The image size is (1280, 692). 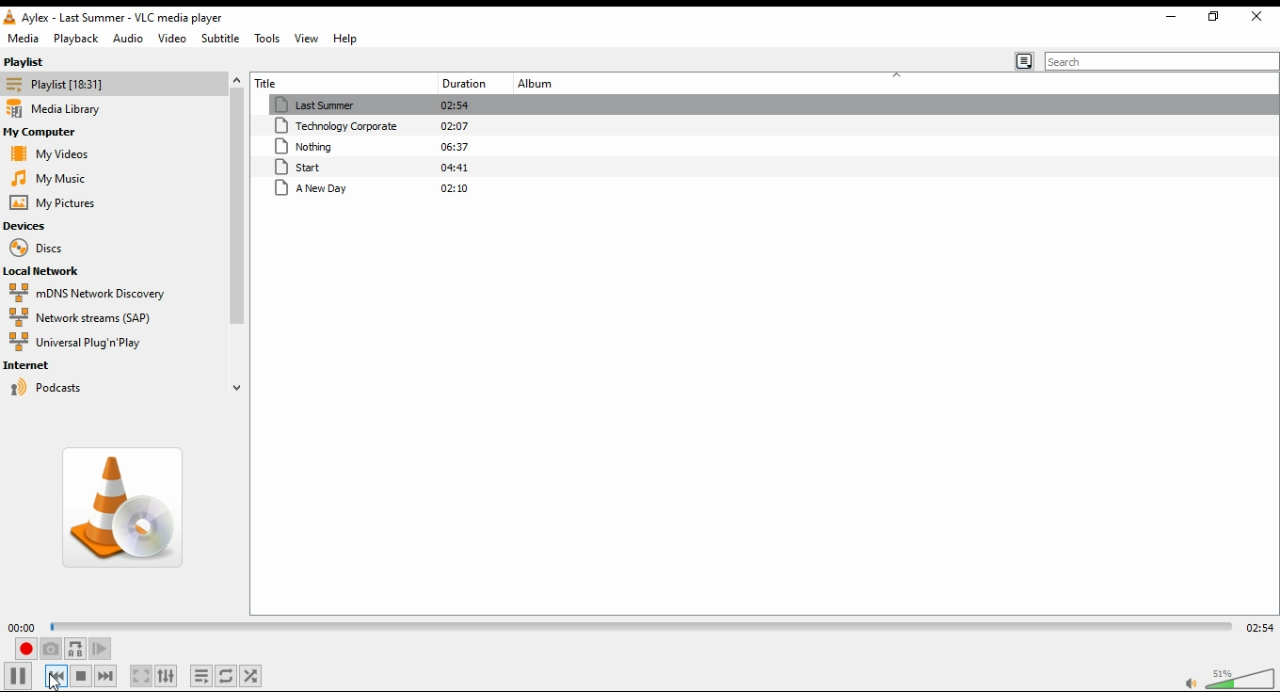 What do you see at coordinates (58, 84) in the screenshot?
I see `playlist [18:30]` at bounding box center [58, 84].